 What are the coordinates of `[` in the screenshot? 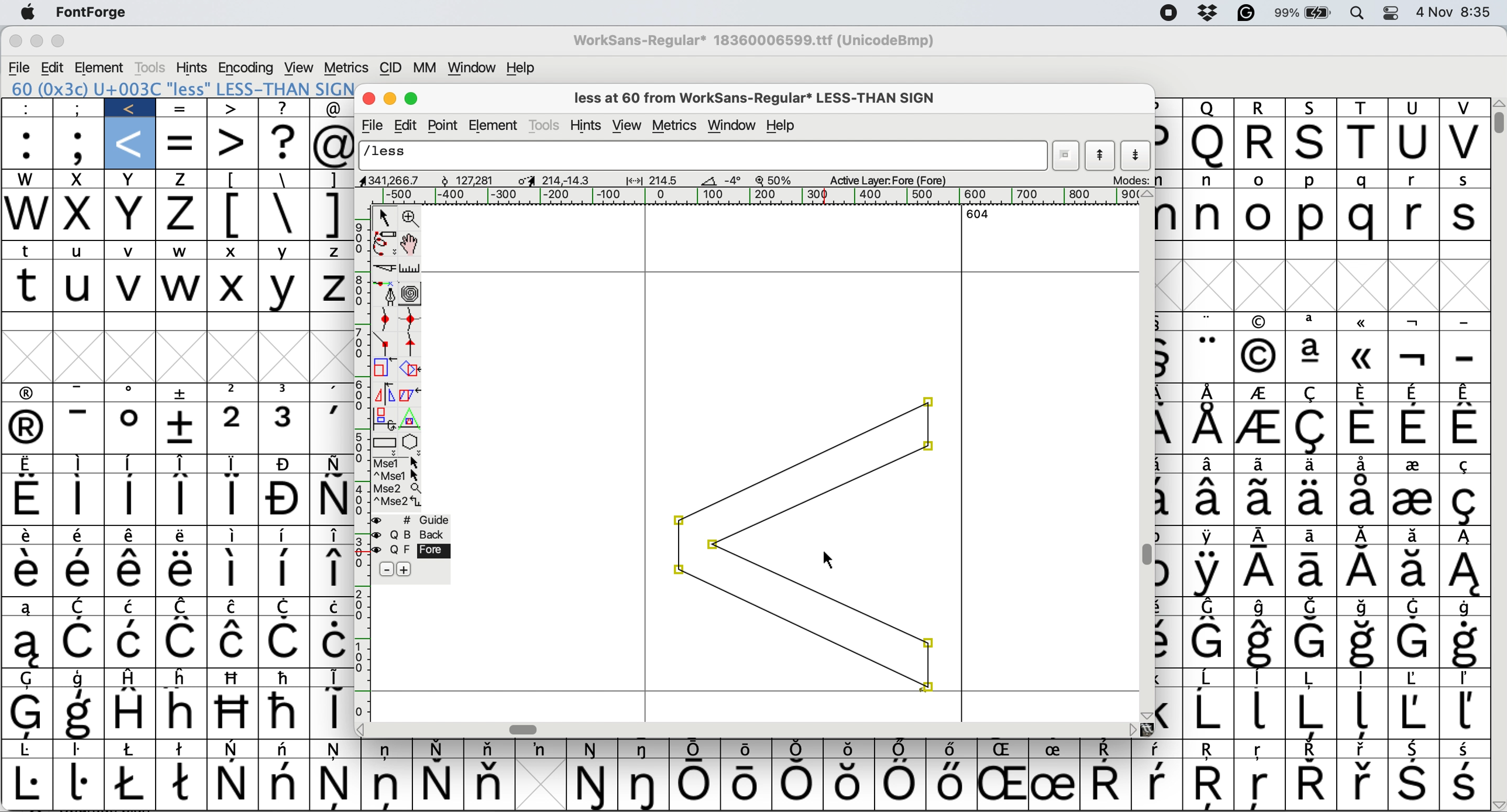 It's located at (235, 180).